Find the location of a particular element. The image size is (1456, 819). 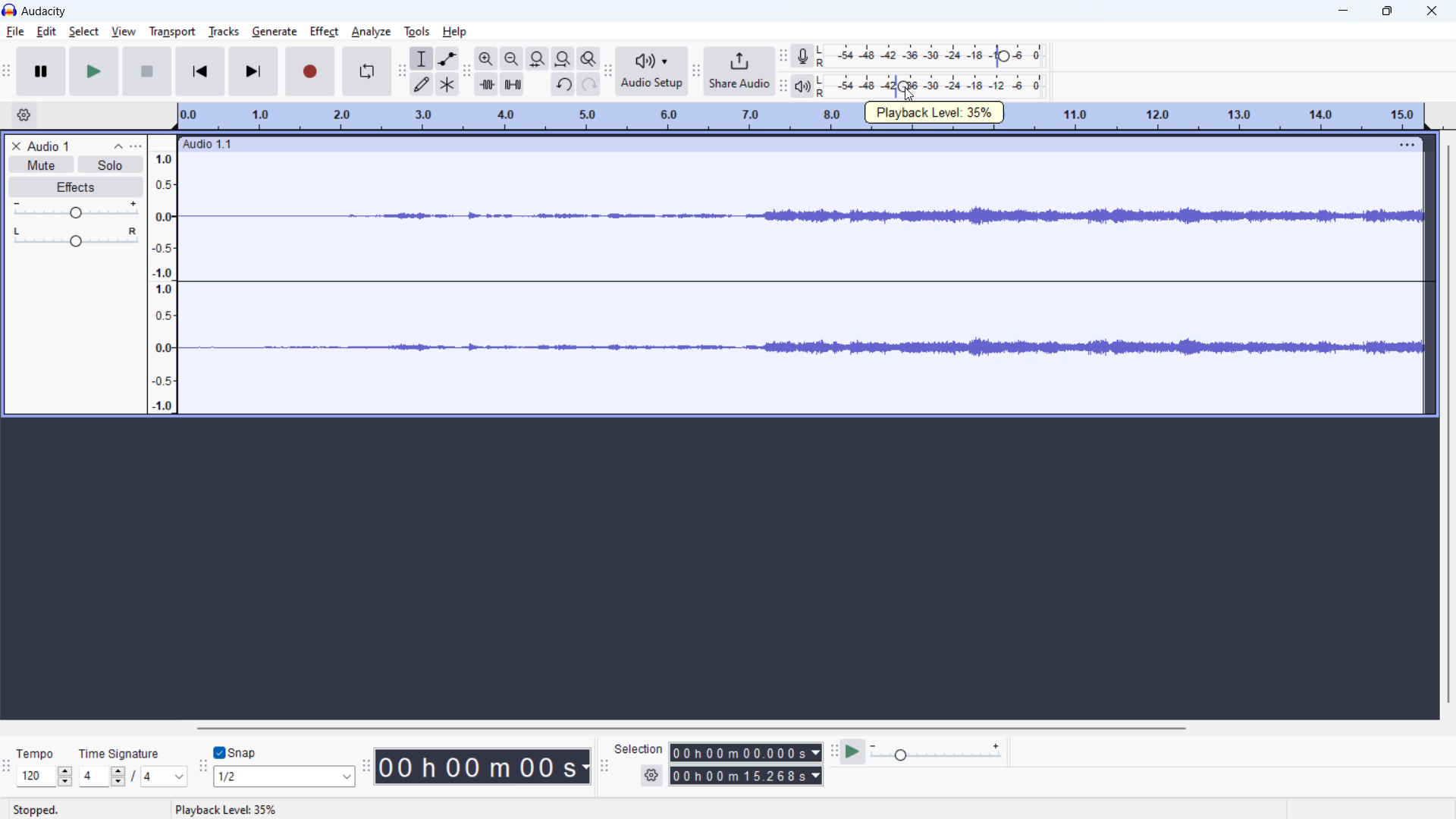

selection tool is located at coordinates (422, 58).